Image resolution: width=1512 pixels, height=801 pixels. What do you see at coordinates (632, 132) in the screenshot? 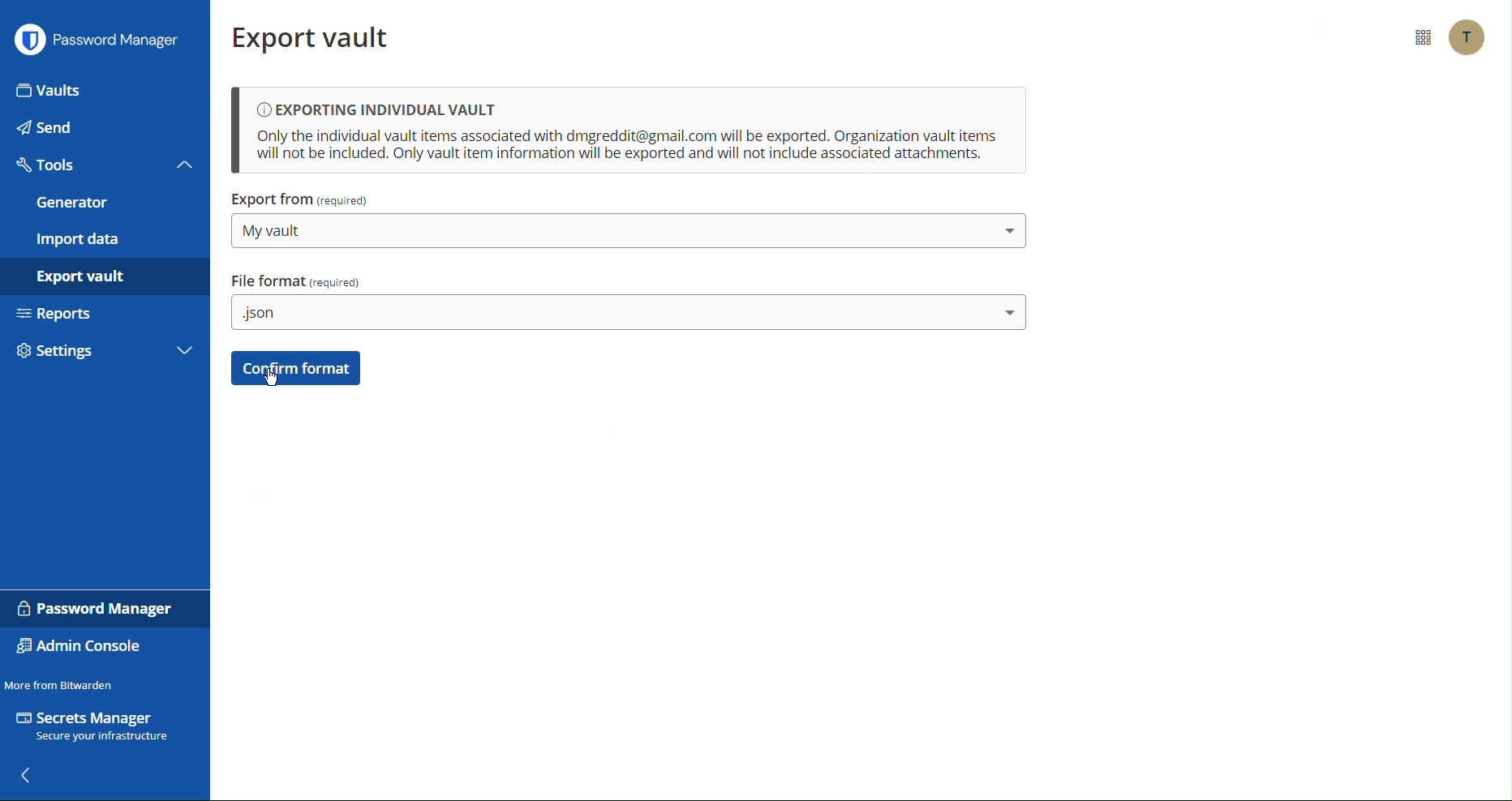
I see `Exporting Individual Vault` at bounding box center [632, 132].